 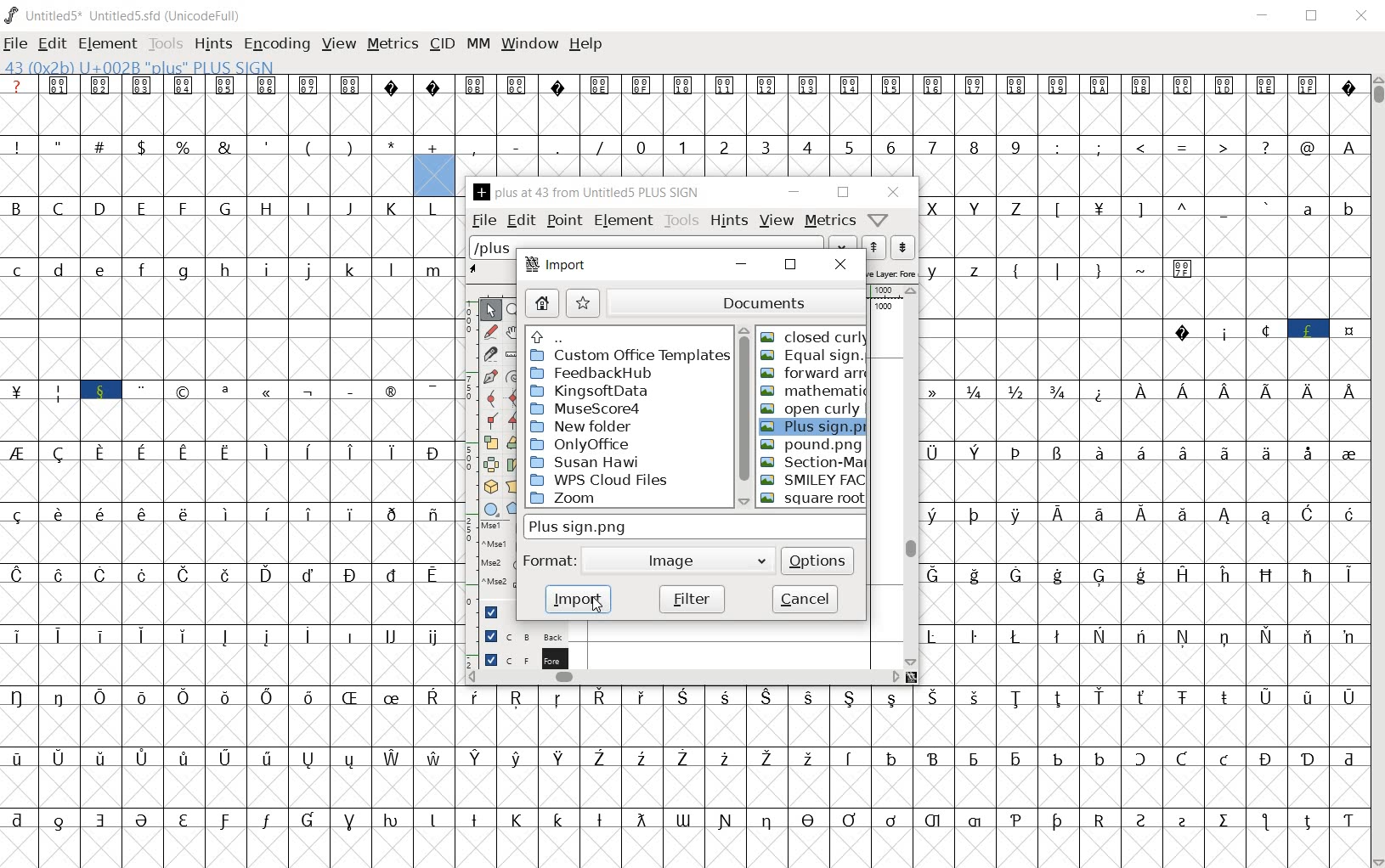 What do you see at coordinates (684, 104) in the screenshot?
I see `symbols` at bounding box center [684, 104].